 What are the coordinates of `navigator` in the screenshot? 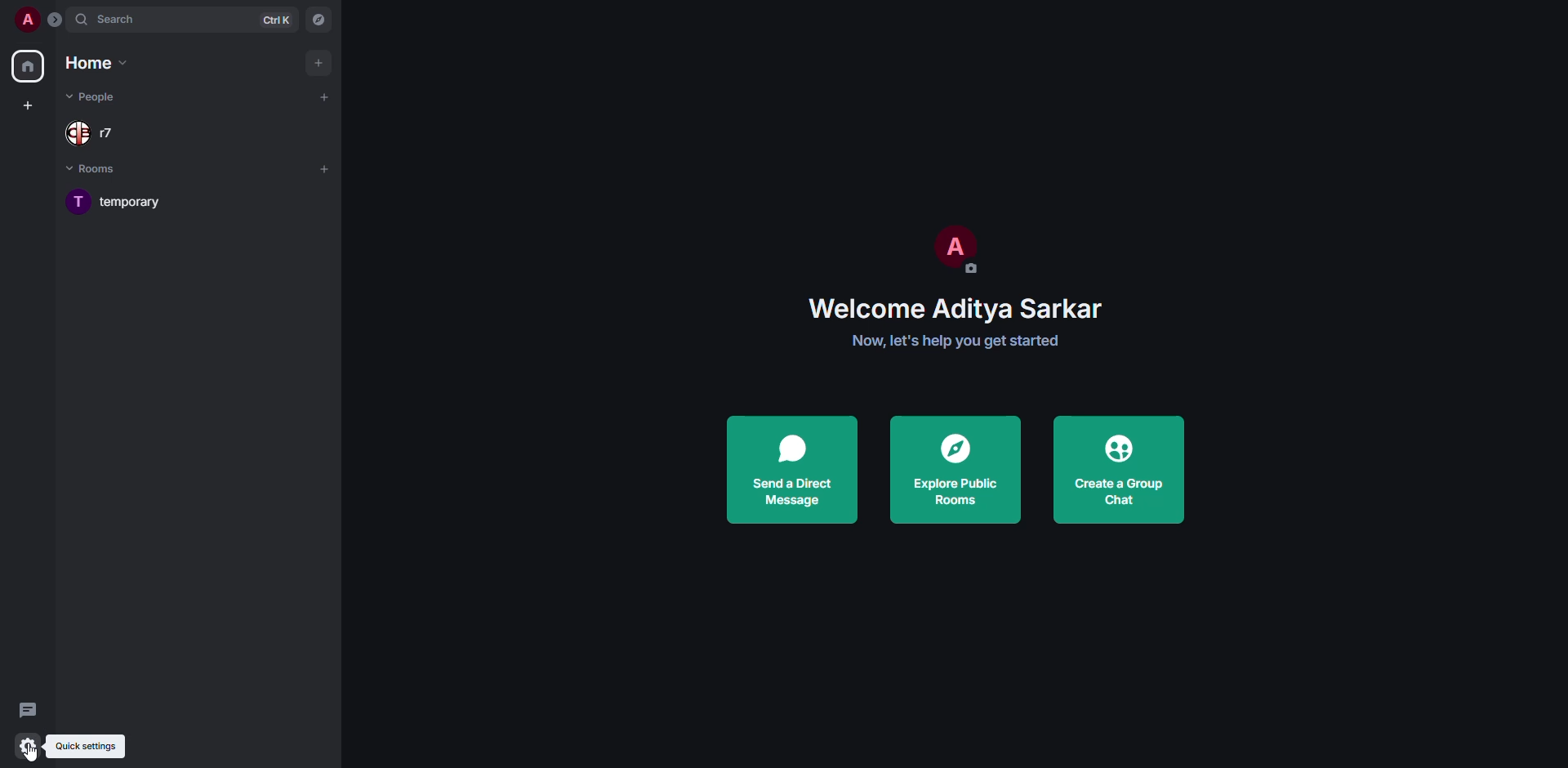 It's located at (318, 21).